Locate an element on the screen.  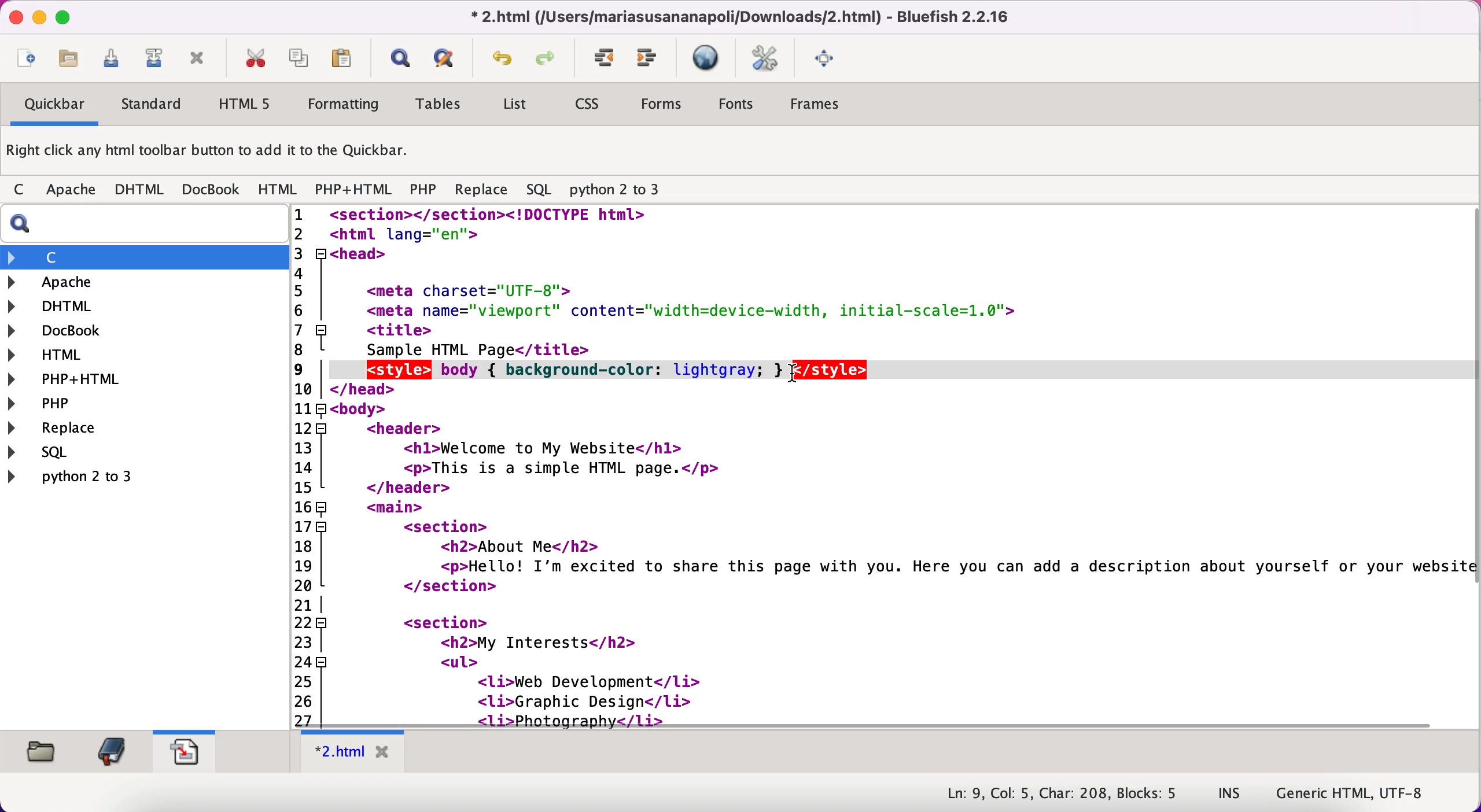
html is located at coordinates (279, 190).